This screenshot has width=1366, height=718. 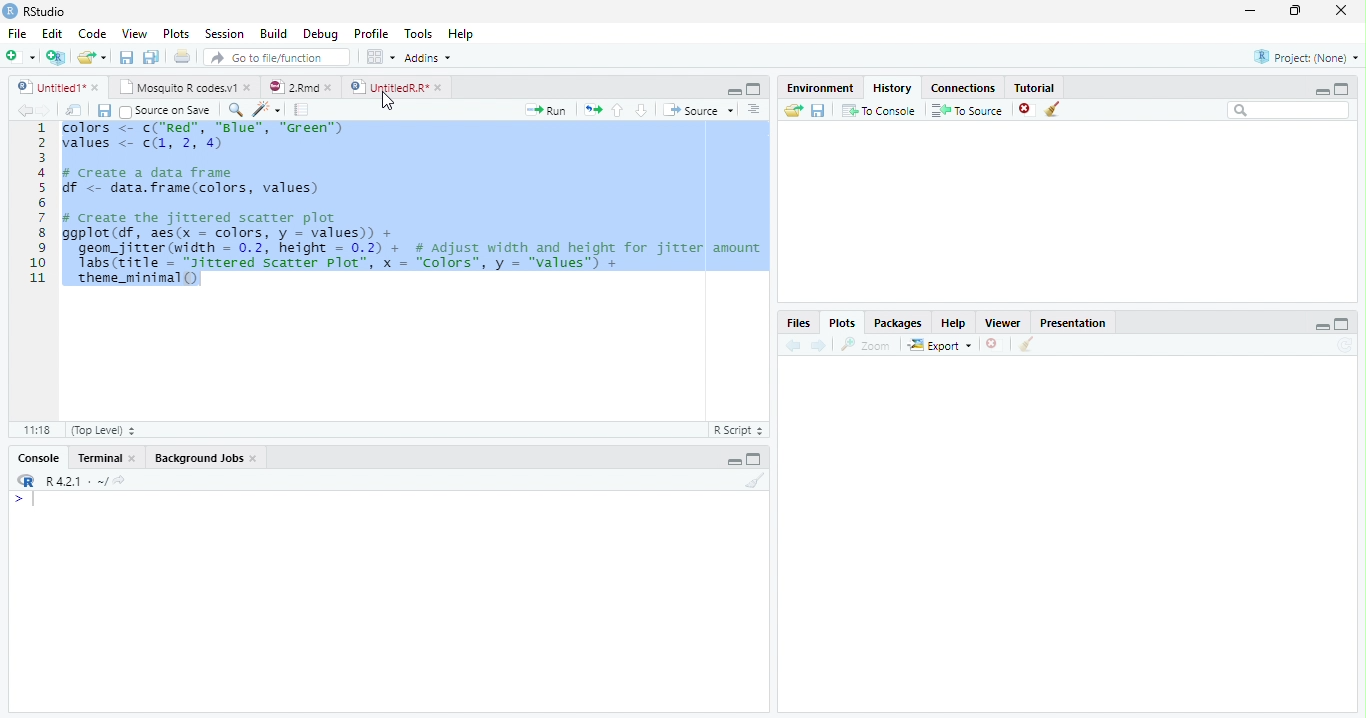 I want to click on close, so click(x=438, y=88).